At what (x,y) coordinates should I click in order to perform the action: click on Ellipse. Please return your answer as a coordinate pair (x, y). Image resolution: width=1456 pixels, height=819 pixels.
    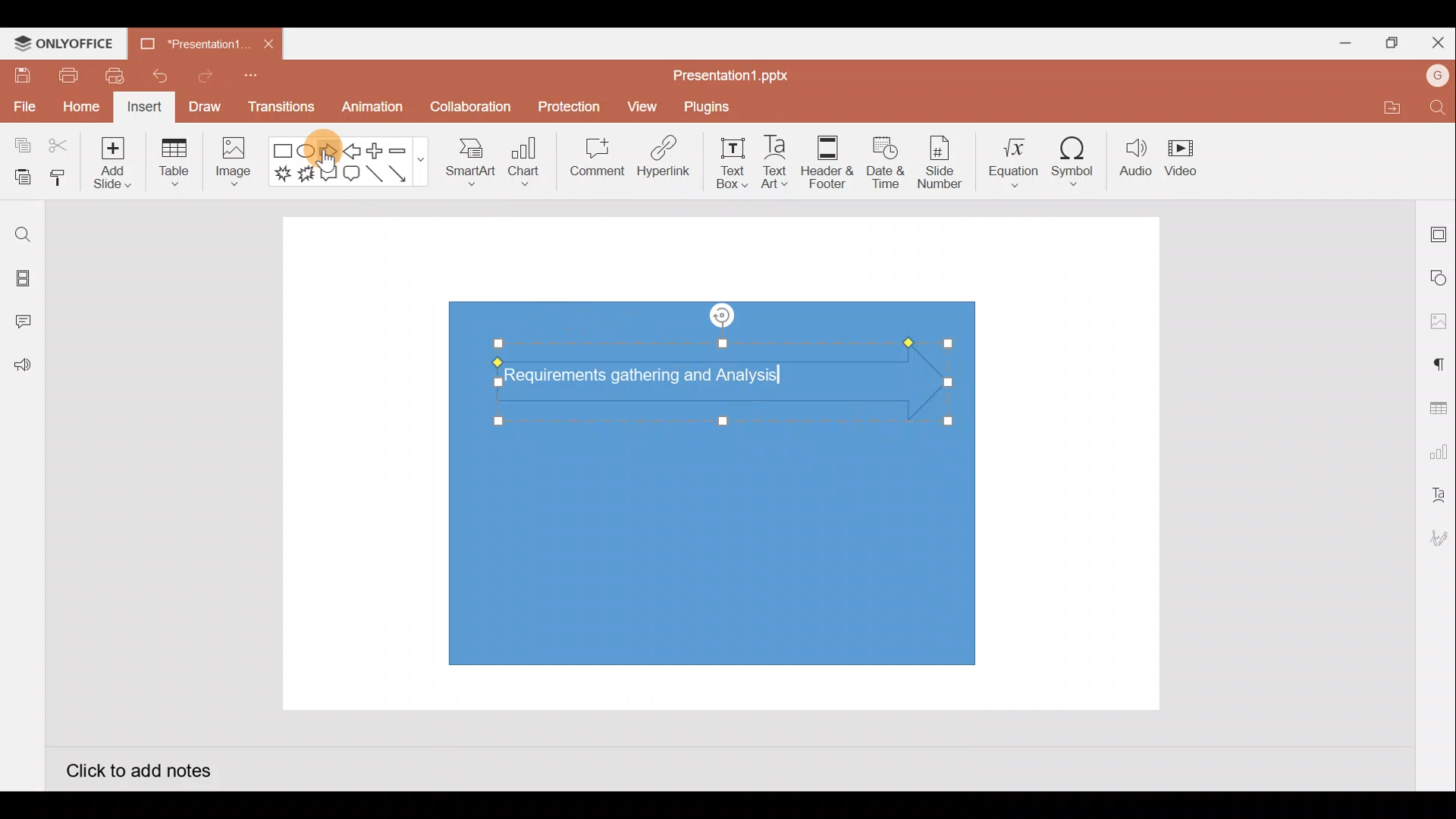
    Looking at the image, I should click on (308, 151).